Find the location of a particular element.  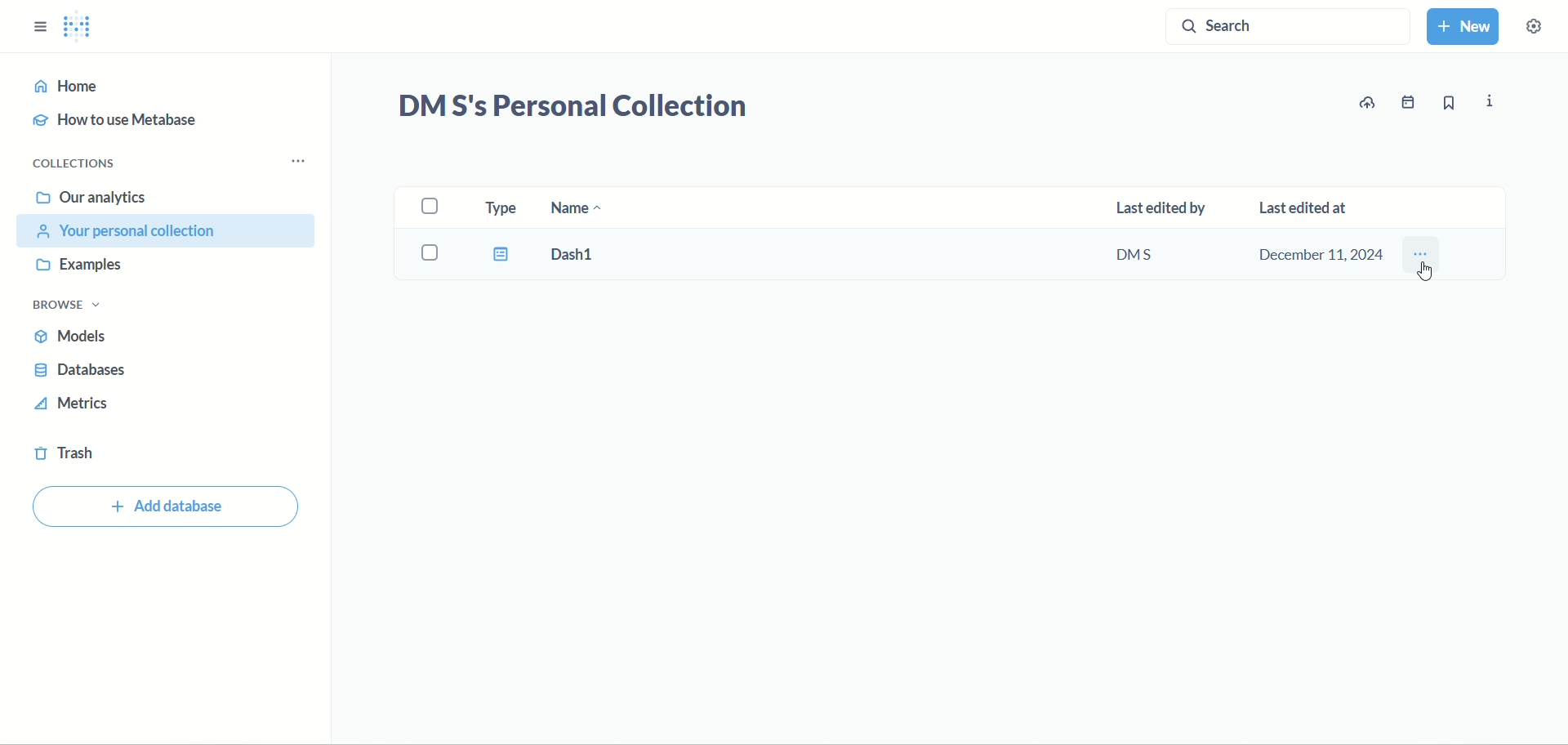

update data is located at coordinates (1370, 103).